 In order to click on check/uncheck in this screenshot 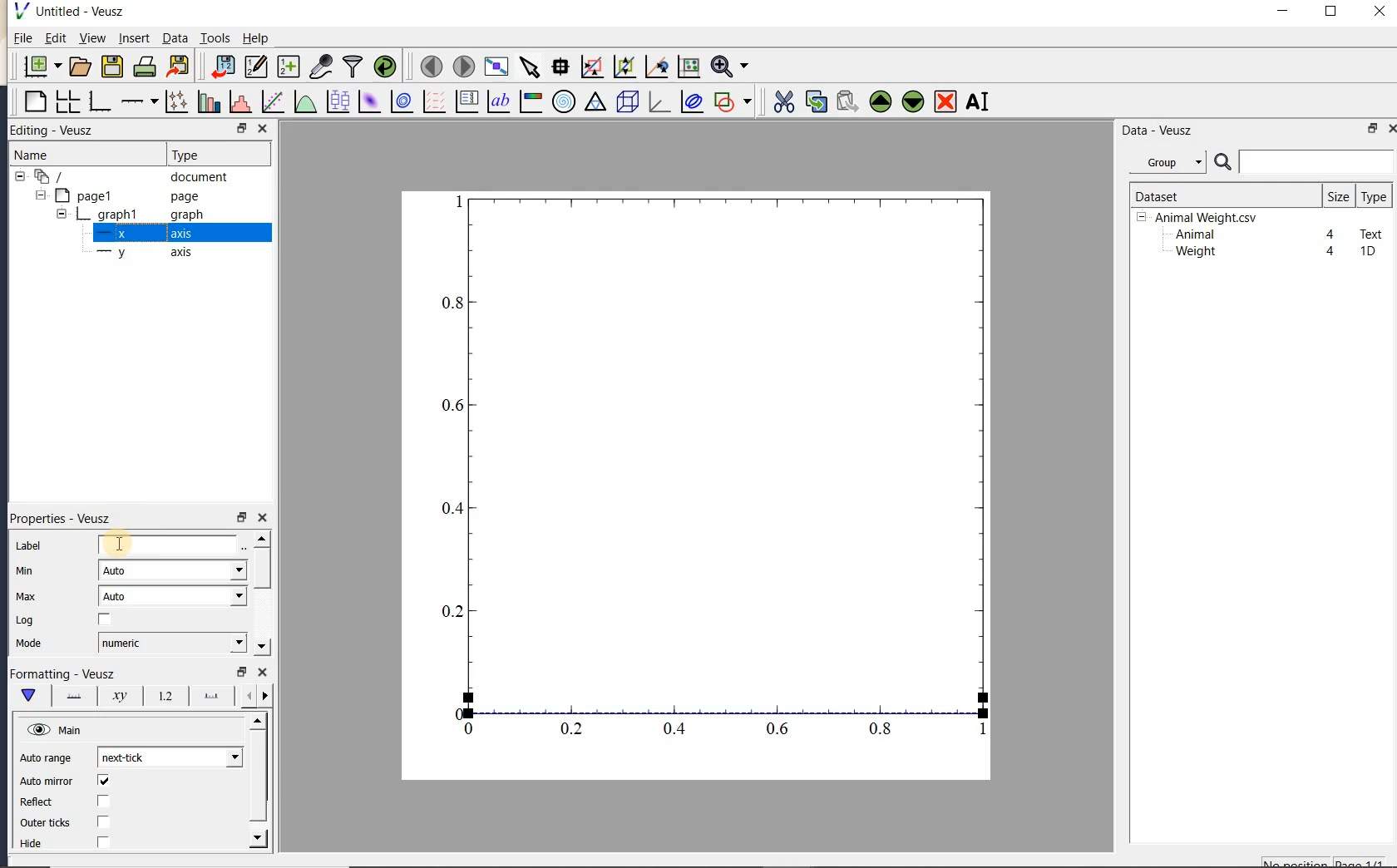, I will do `click(102, 802)`.